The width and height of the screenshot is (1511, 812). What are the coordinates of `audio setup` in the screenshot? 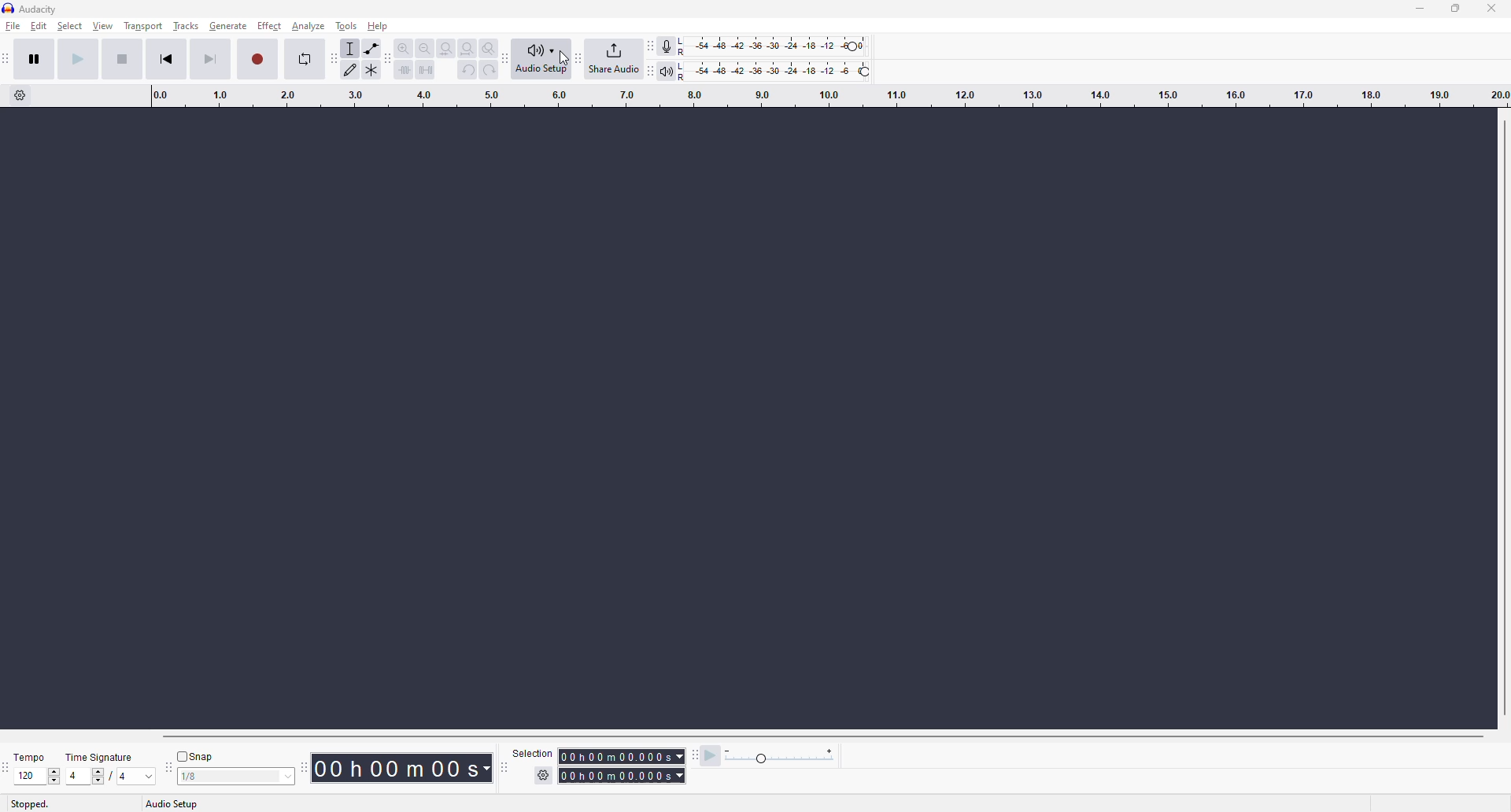 It's located at (175, 802).